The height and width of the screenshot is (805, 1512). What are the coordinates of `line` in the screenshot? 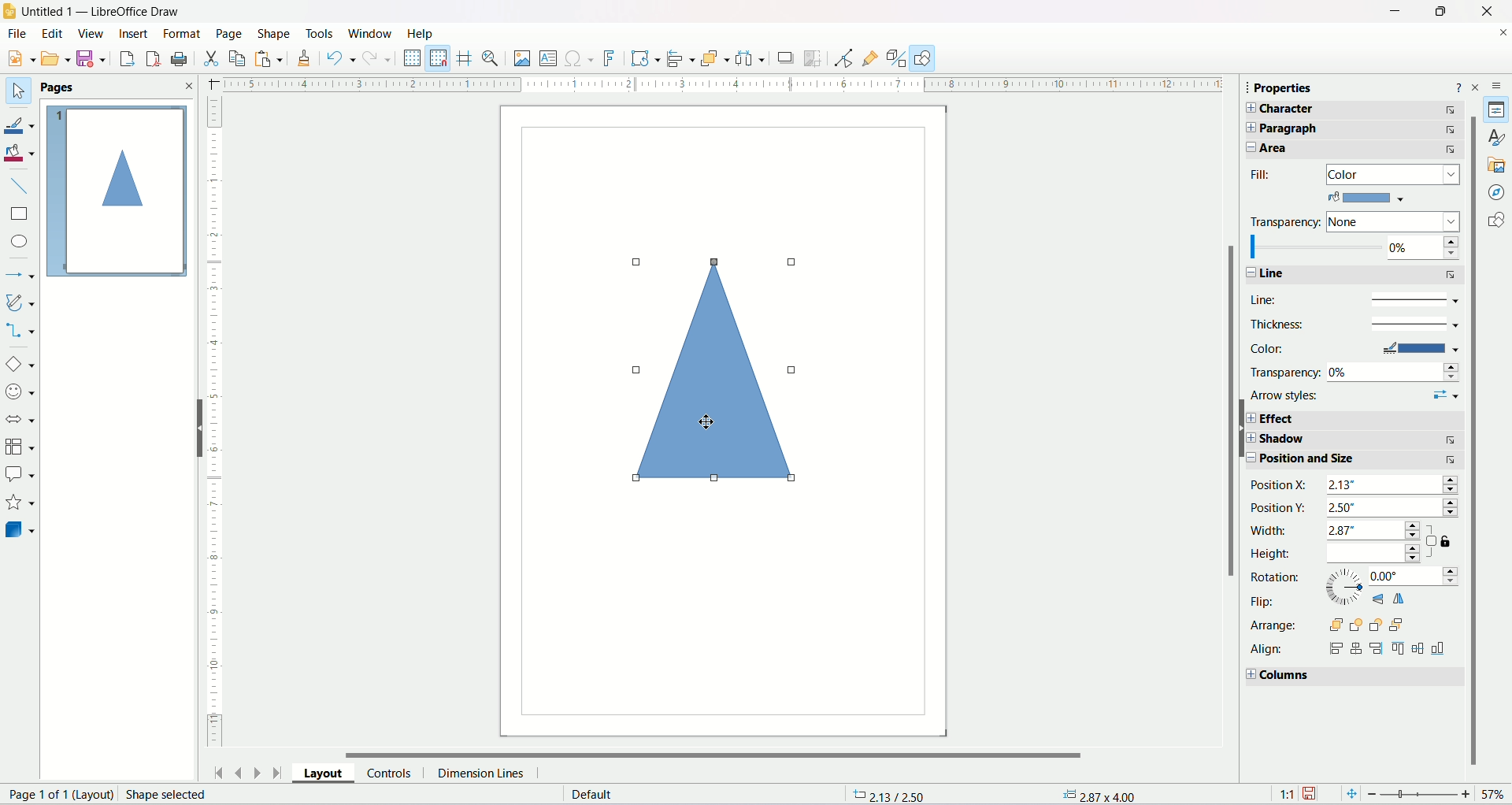 It's located at (1354, 296).